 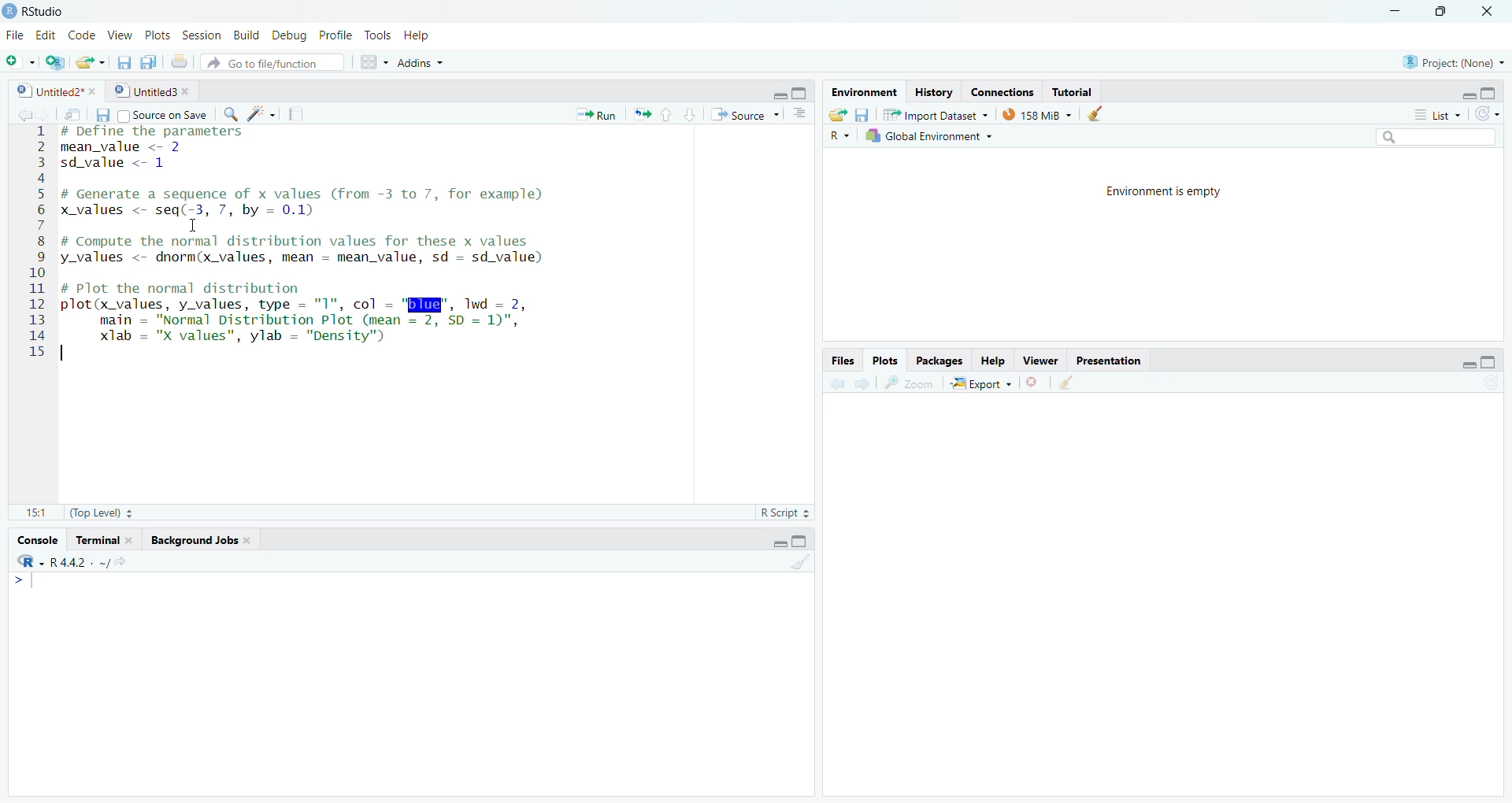 I want to click on ~ Addins ~, so click(x=424, y=65).